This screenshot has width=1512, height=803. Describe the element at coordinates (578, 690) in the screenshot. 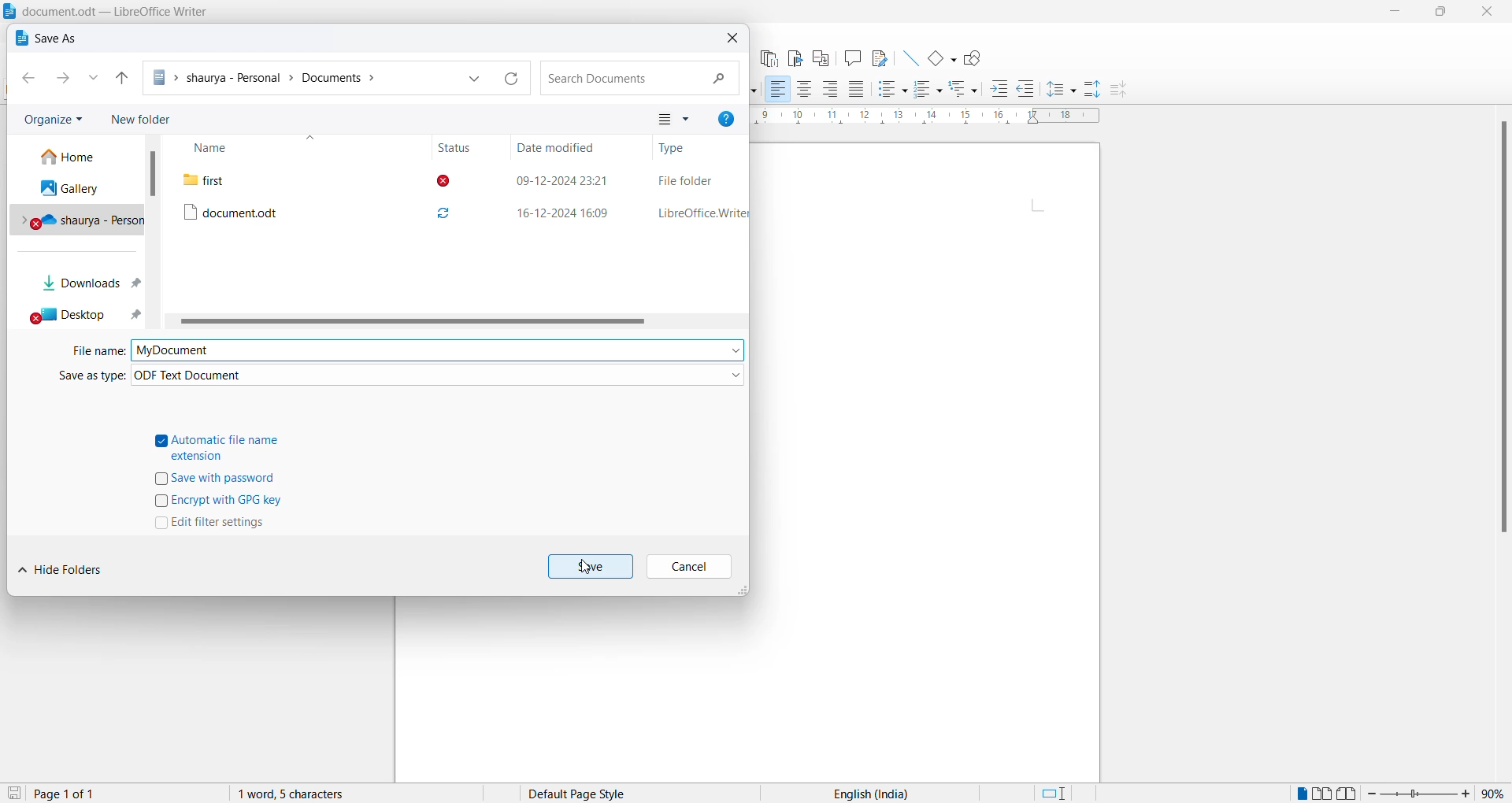

I see `page` at that location.